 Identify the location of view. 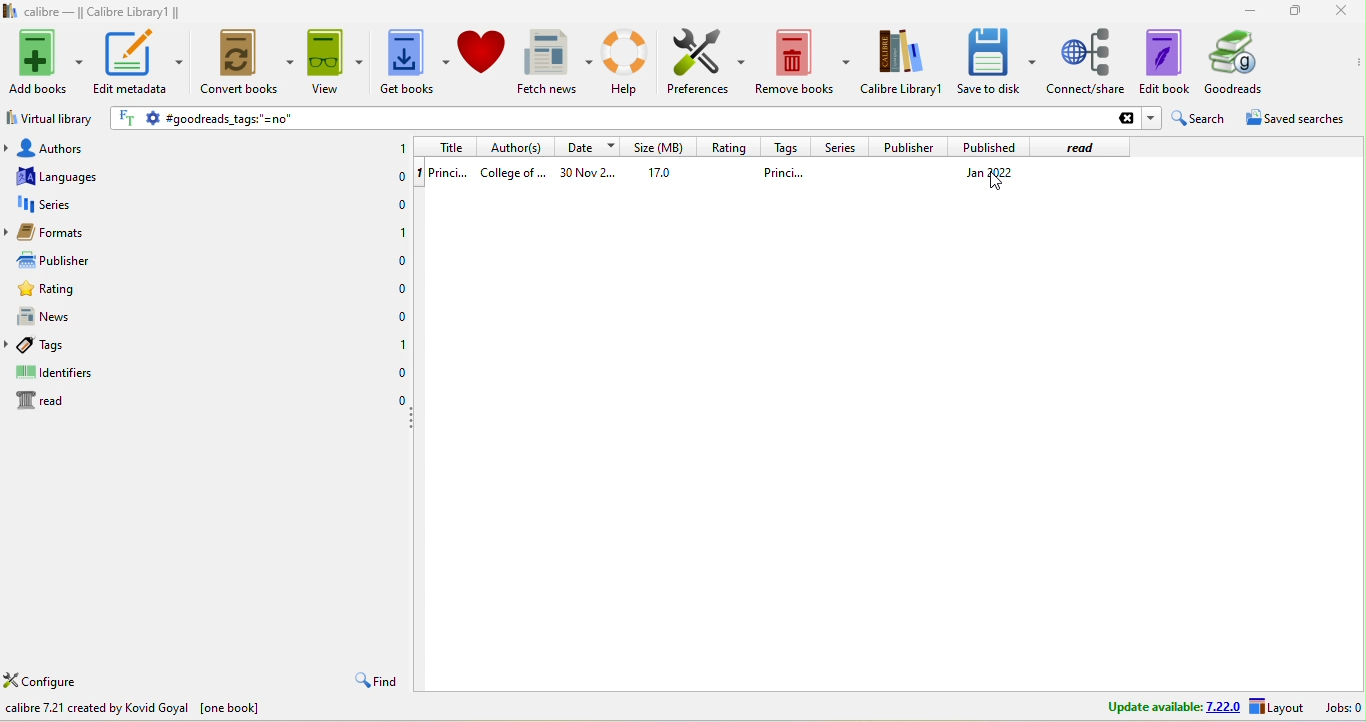
(335, 61).